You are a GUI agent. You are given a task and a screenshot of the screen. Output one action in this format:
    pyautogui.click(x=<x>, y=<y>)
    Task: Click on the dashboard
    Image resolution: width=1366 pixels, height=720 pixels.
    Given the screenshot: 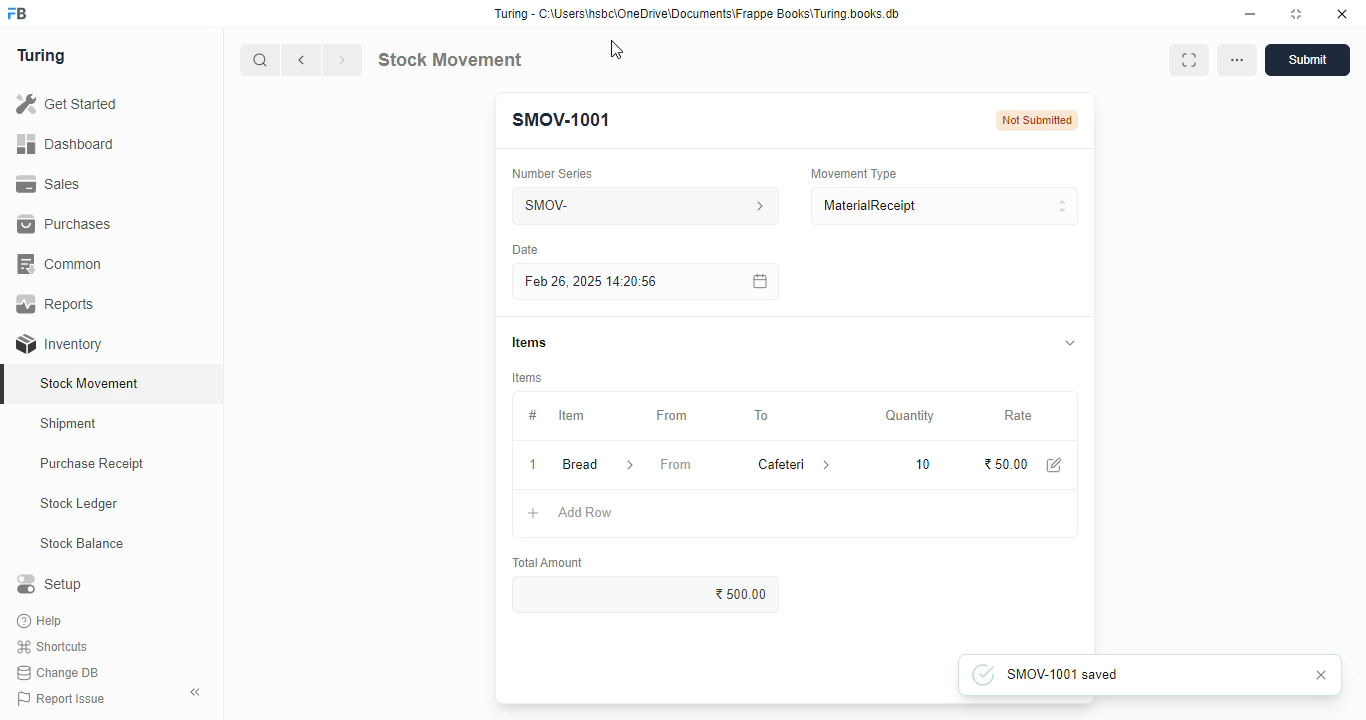 What is the action you would take?
    pyautogui.click(x=65, y=145)
    